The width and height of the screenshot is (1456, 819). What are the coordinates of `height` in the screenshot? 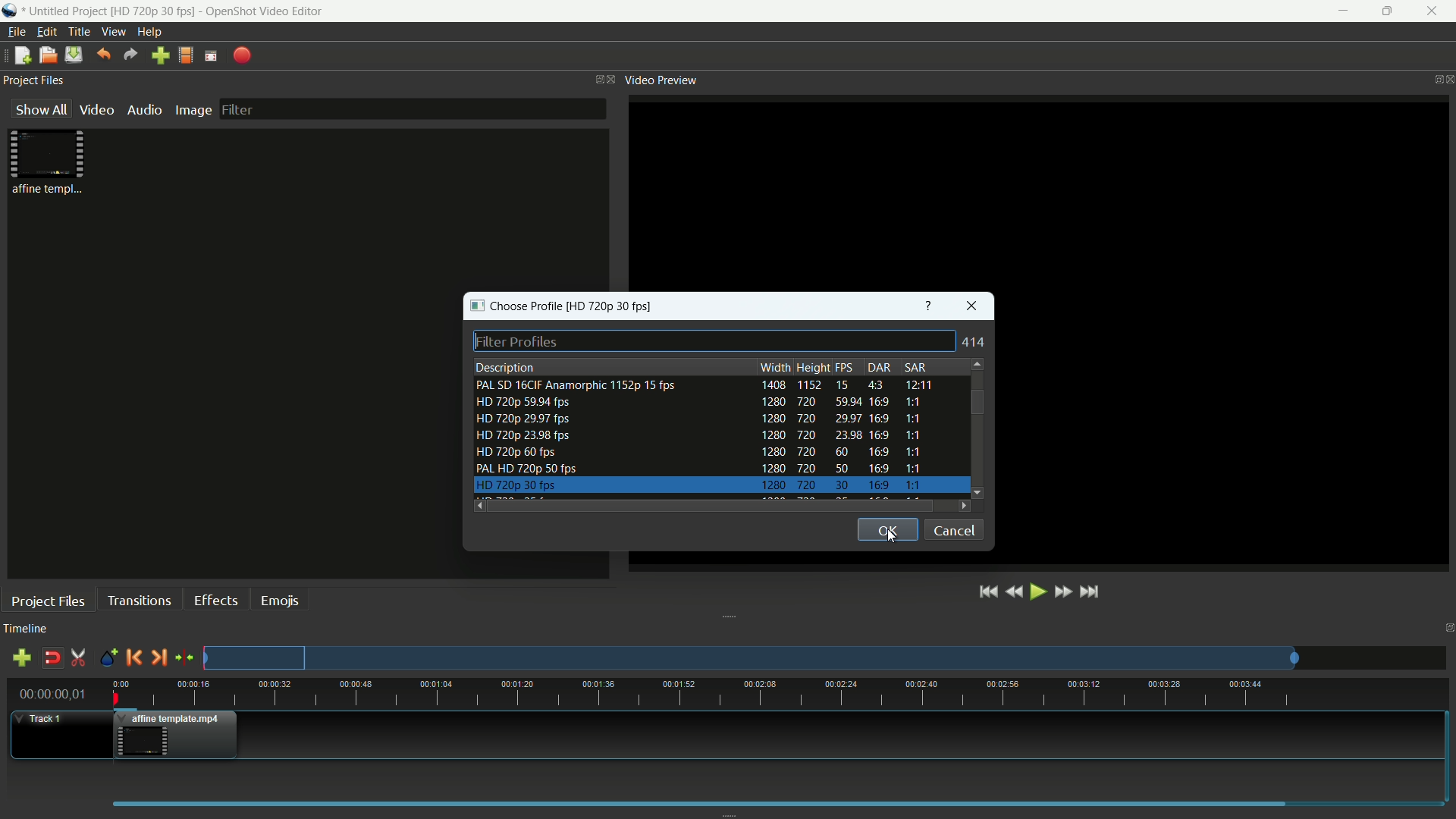 It's located at (813, 367).